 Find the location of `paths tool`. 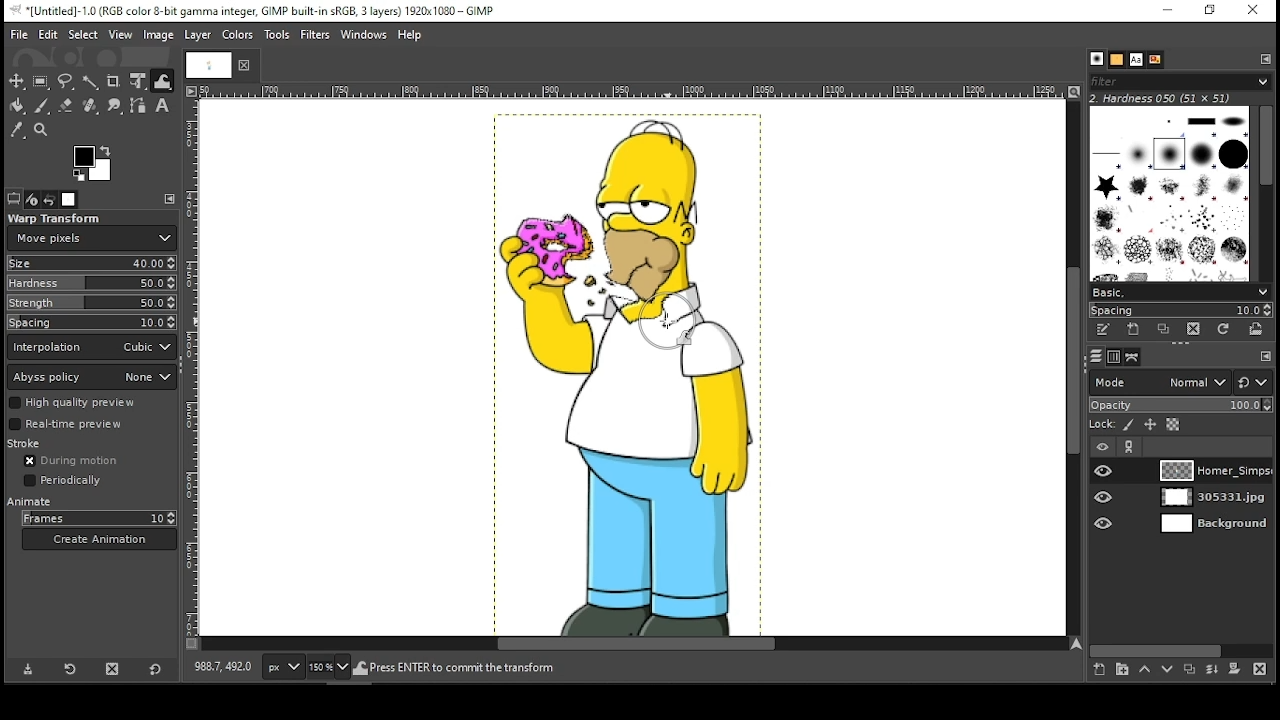

paths tool is located at coordinates (137, 106).